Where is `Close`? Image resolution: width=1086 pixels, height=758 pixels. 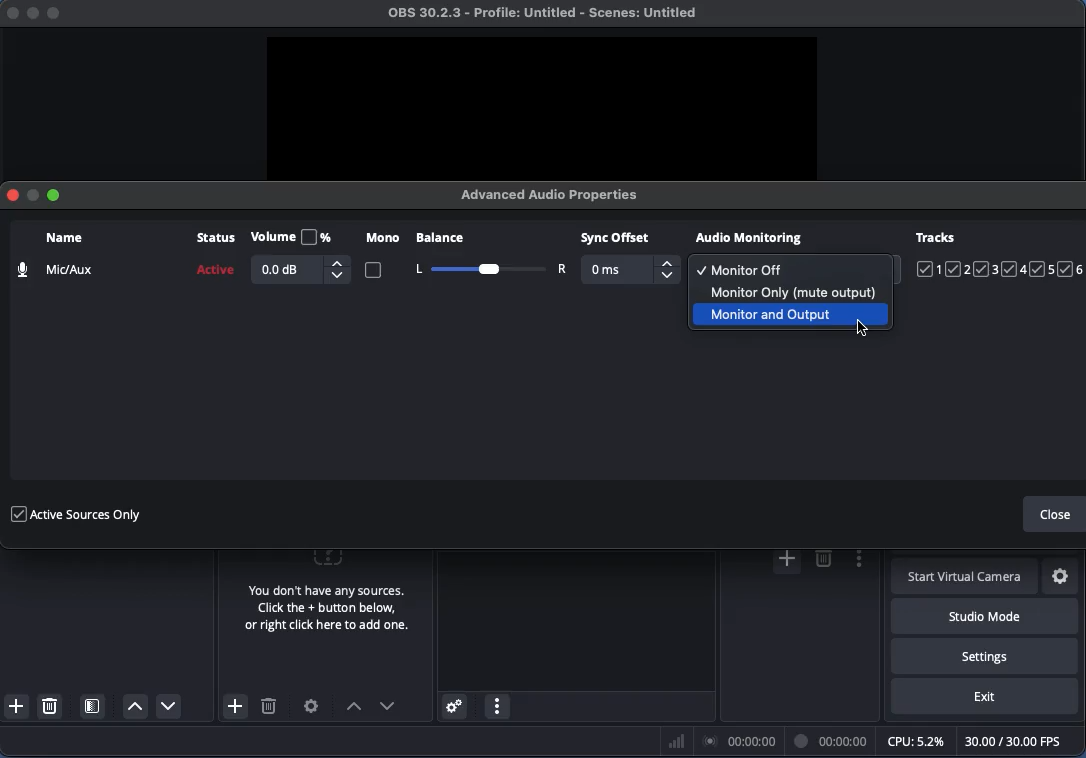 Close is located at coordinates (1055, 516).